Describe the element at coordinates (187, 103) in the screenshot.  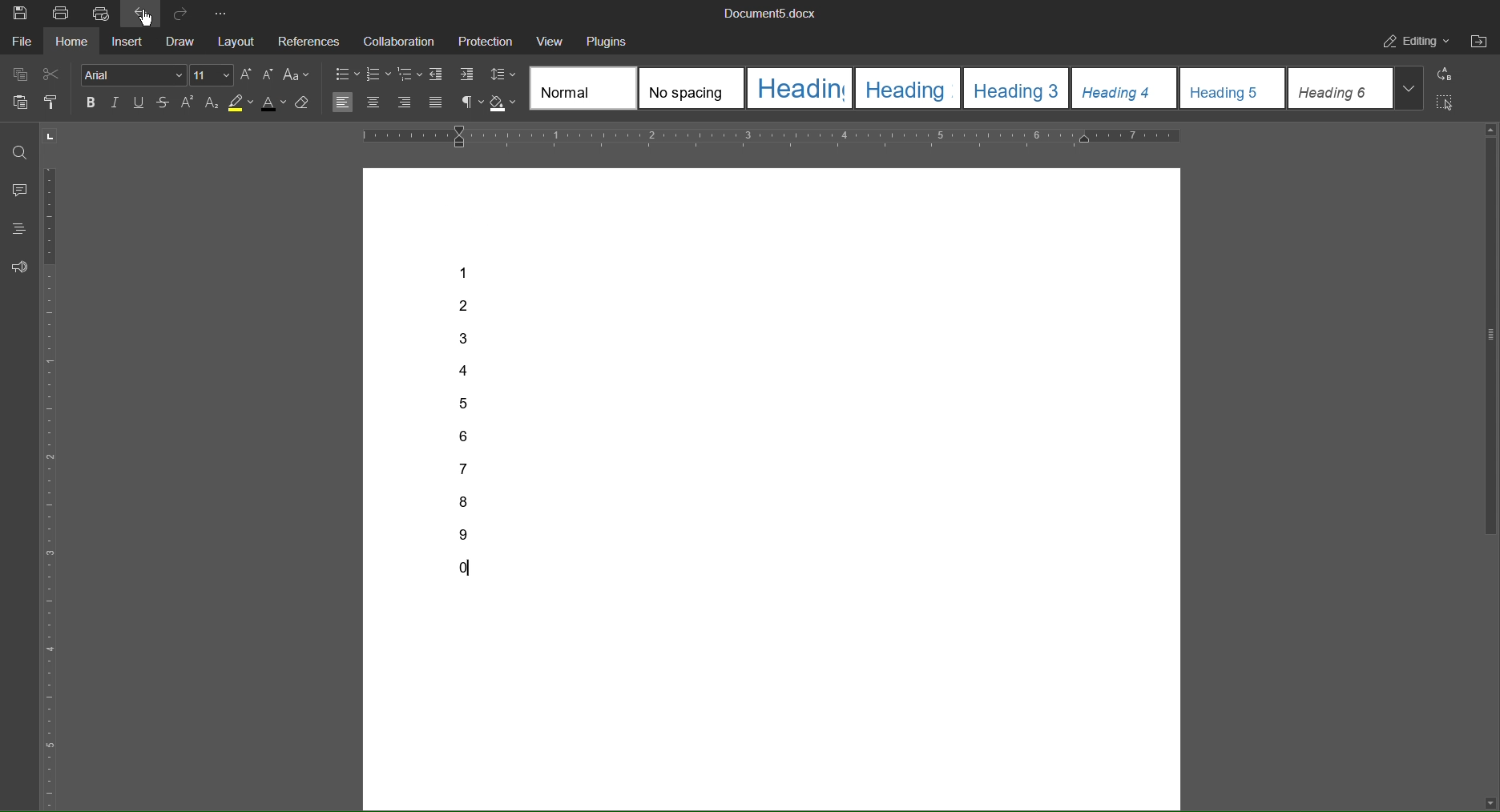
I see `Superscript` at that location.